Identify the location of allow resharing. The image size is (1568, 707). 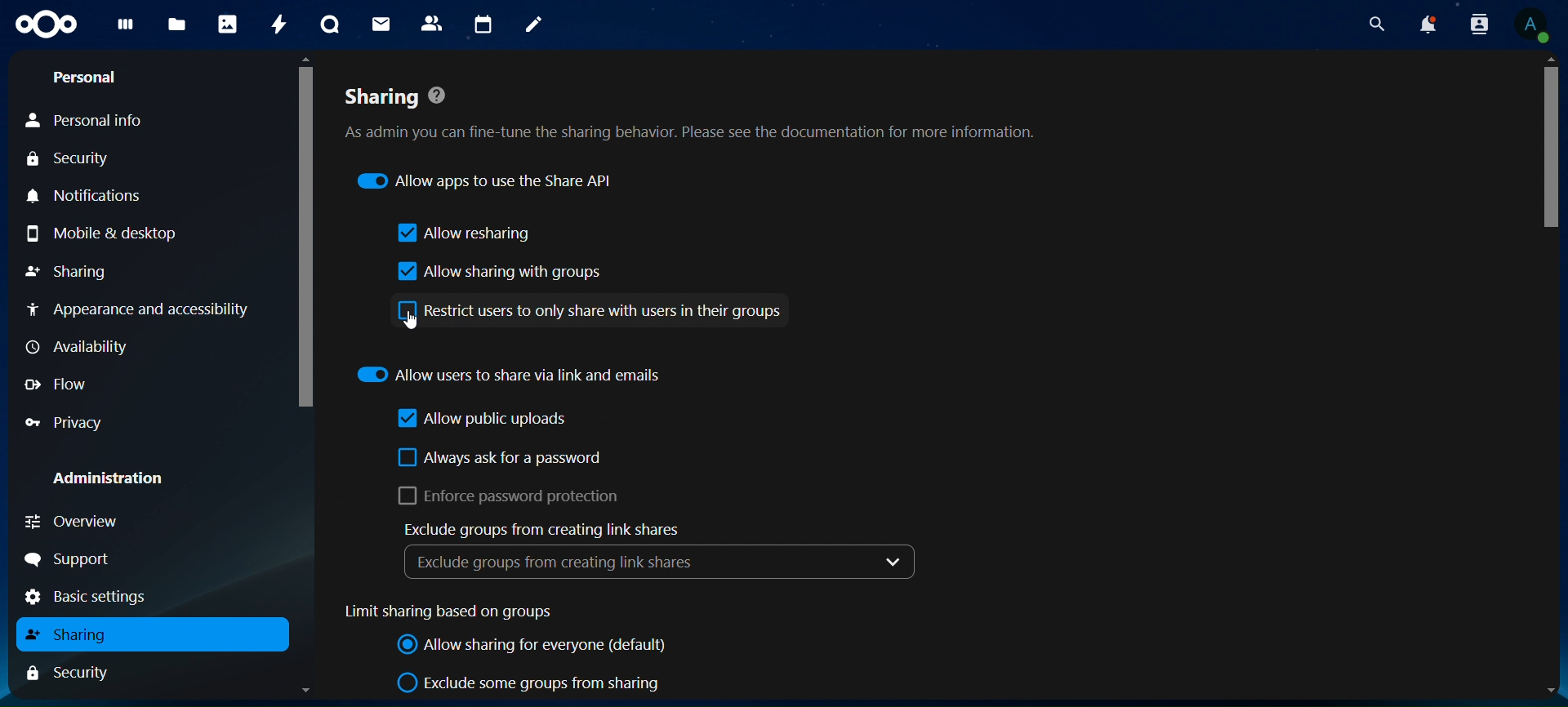
(466, 233).